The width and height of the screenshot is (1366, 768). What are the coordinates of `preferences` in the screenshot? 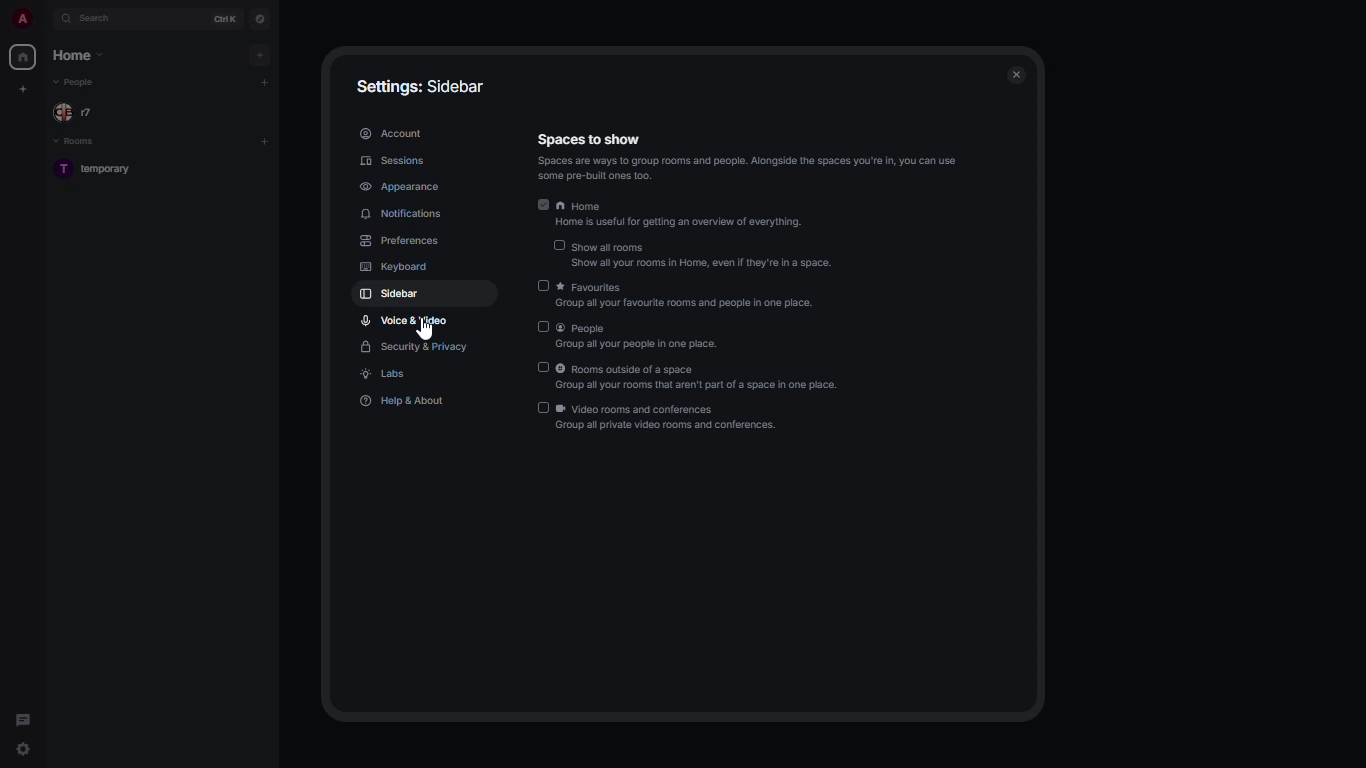 It's located at (400, 240).